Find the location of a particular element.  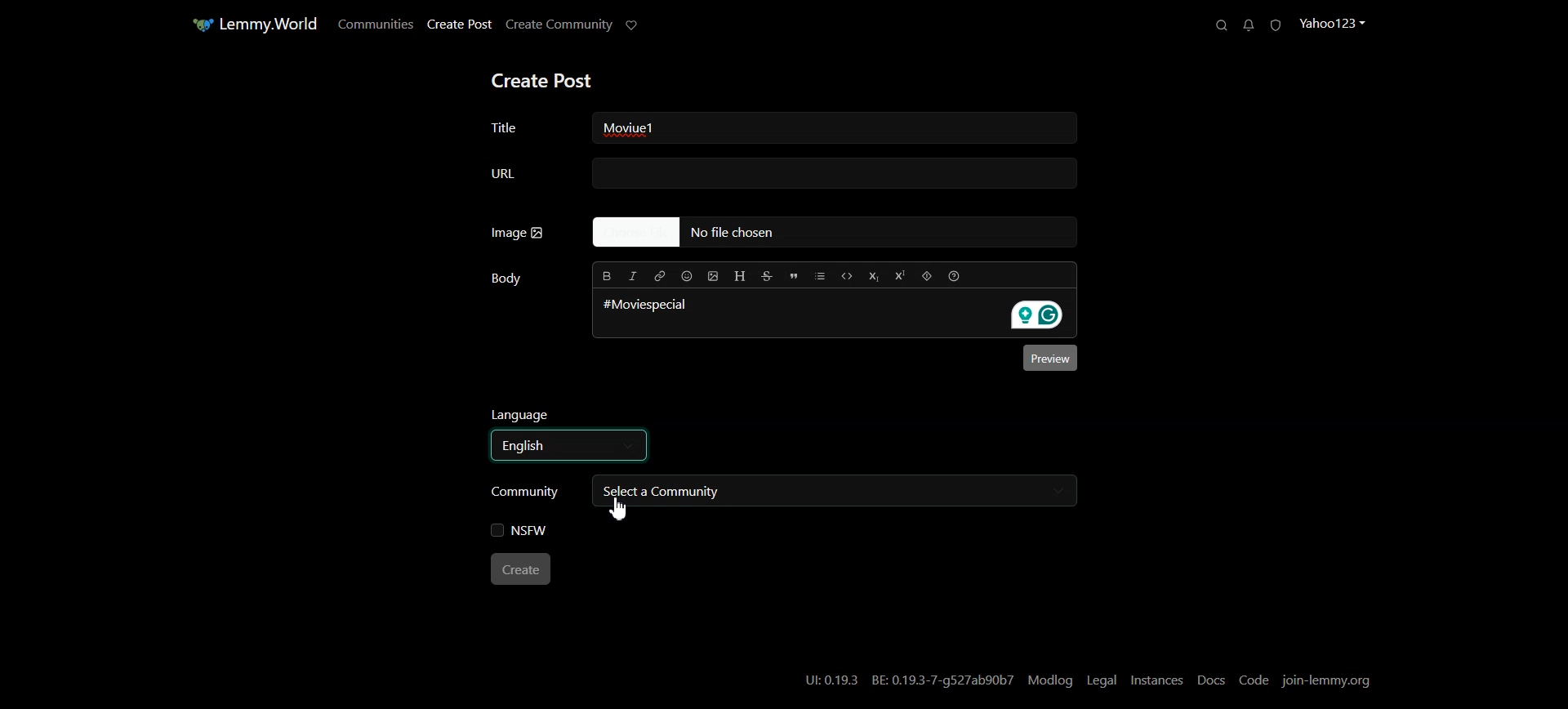

List is located at coordinates (819, 276).